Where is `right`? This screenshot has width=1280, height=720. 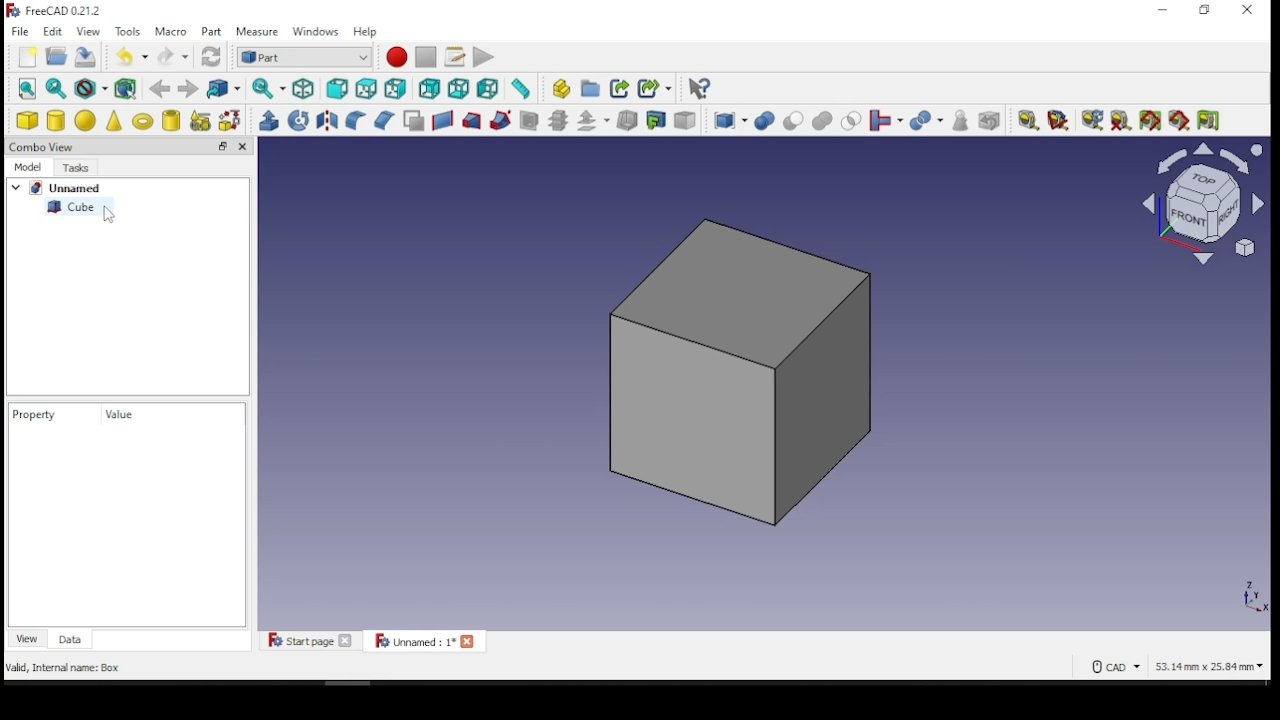
right is located at coordinates (397, 88).